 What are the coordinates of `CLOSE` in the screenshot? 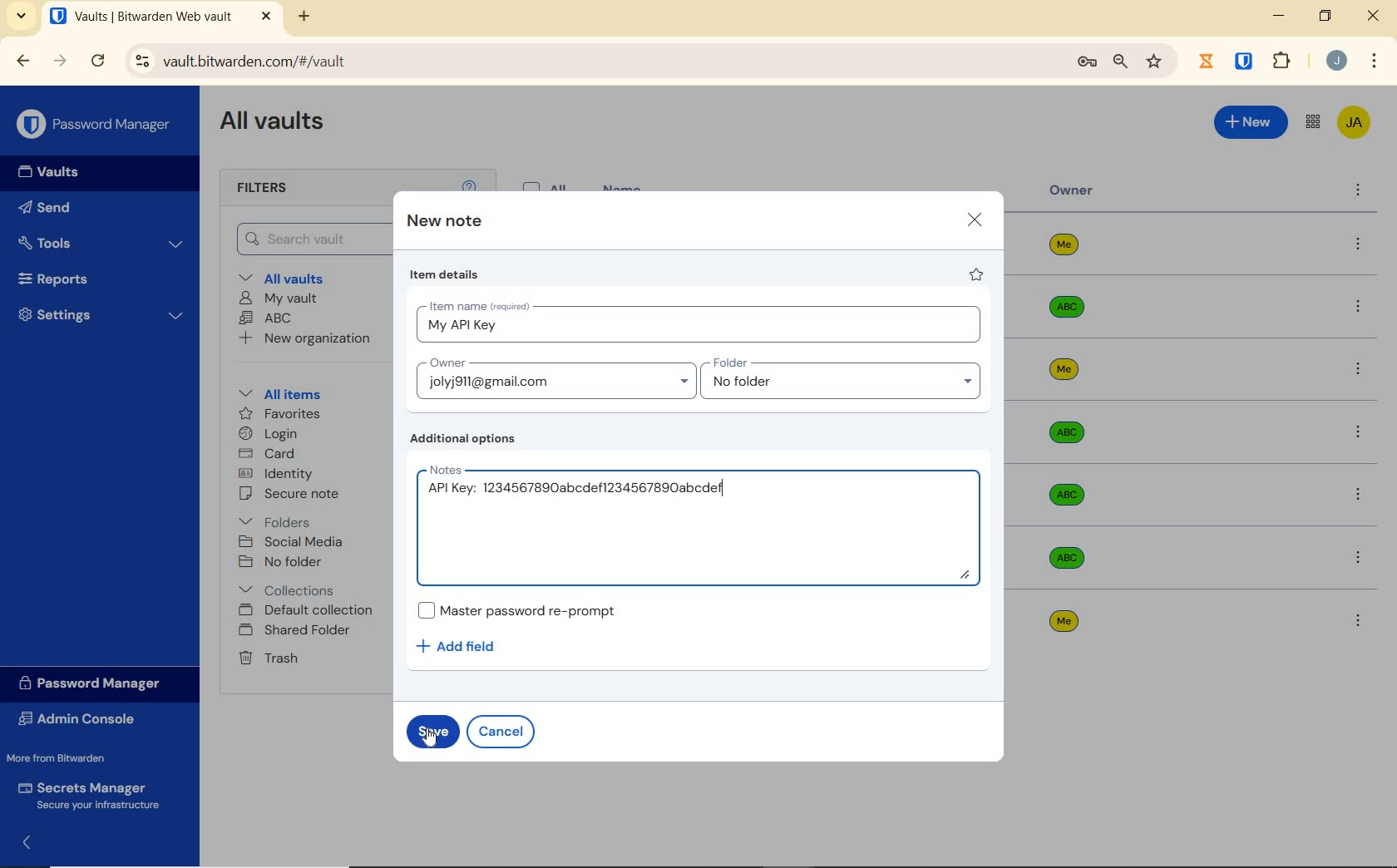 It's located at (266, 17).